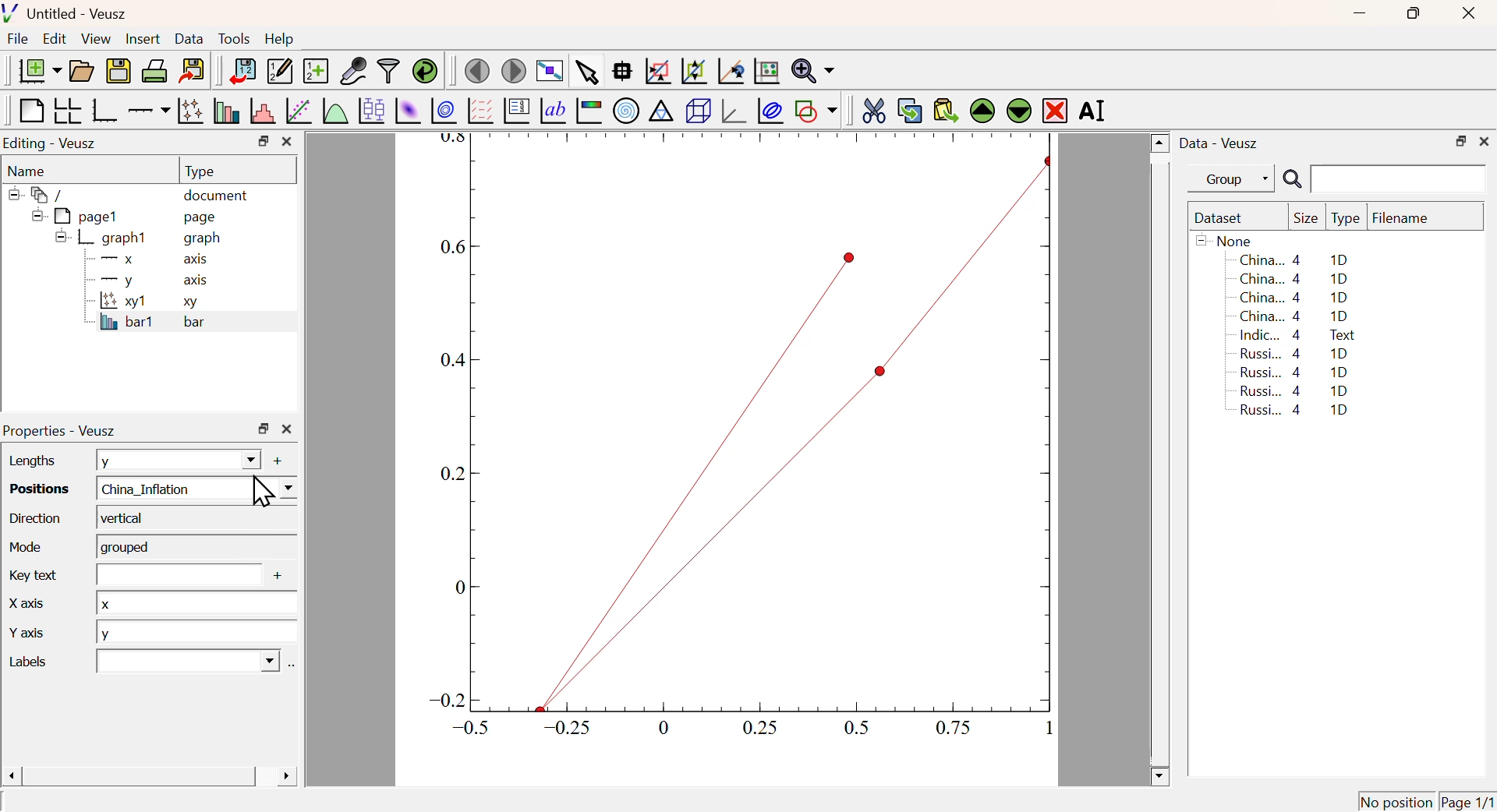 This screenshot has height=812, width=1497. I want to click on Move Down, so click(1018, 110).